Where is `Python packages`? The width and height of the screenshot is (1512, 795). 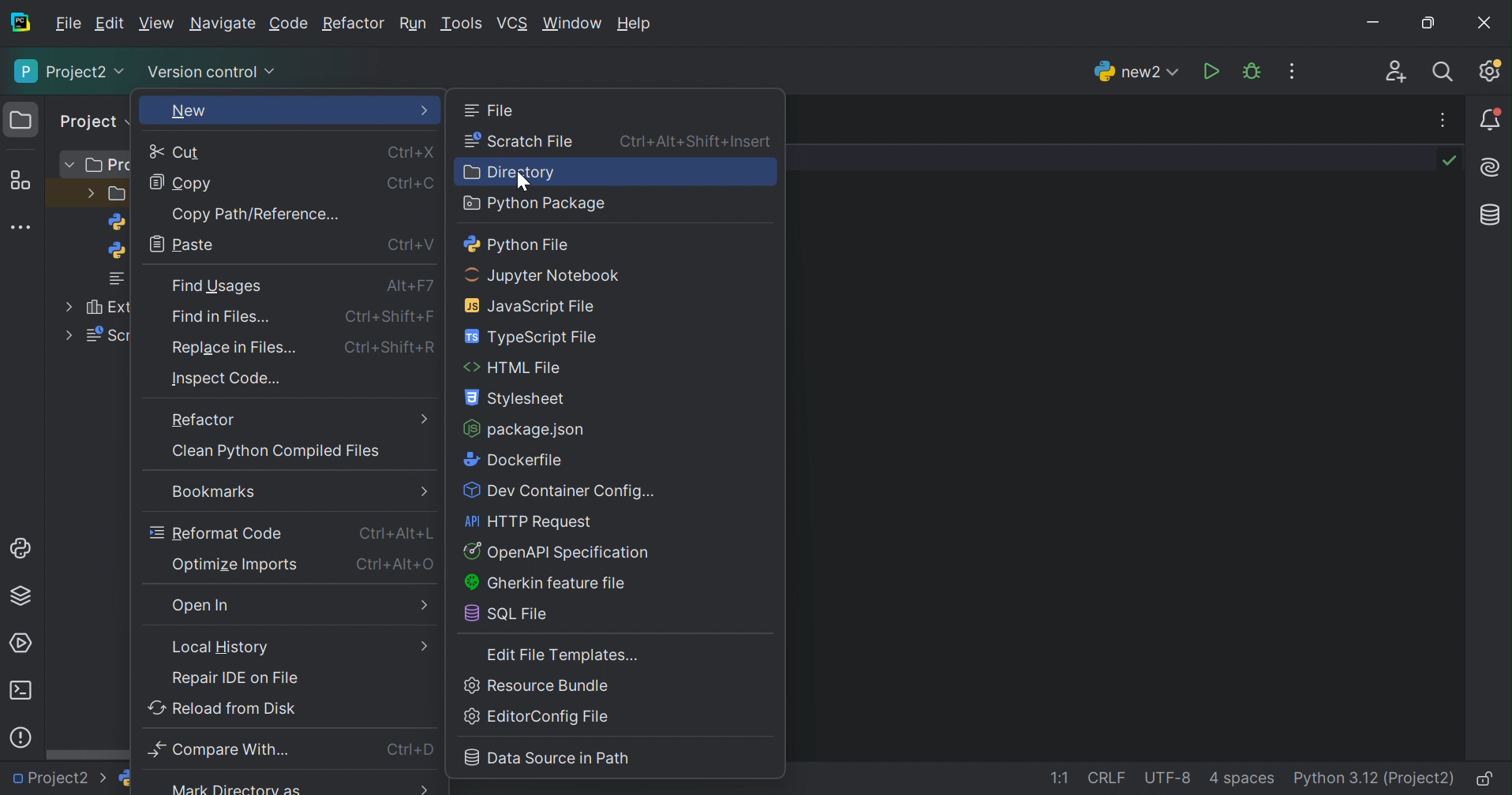
Python packages is located at coordinates (536, 203).